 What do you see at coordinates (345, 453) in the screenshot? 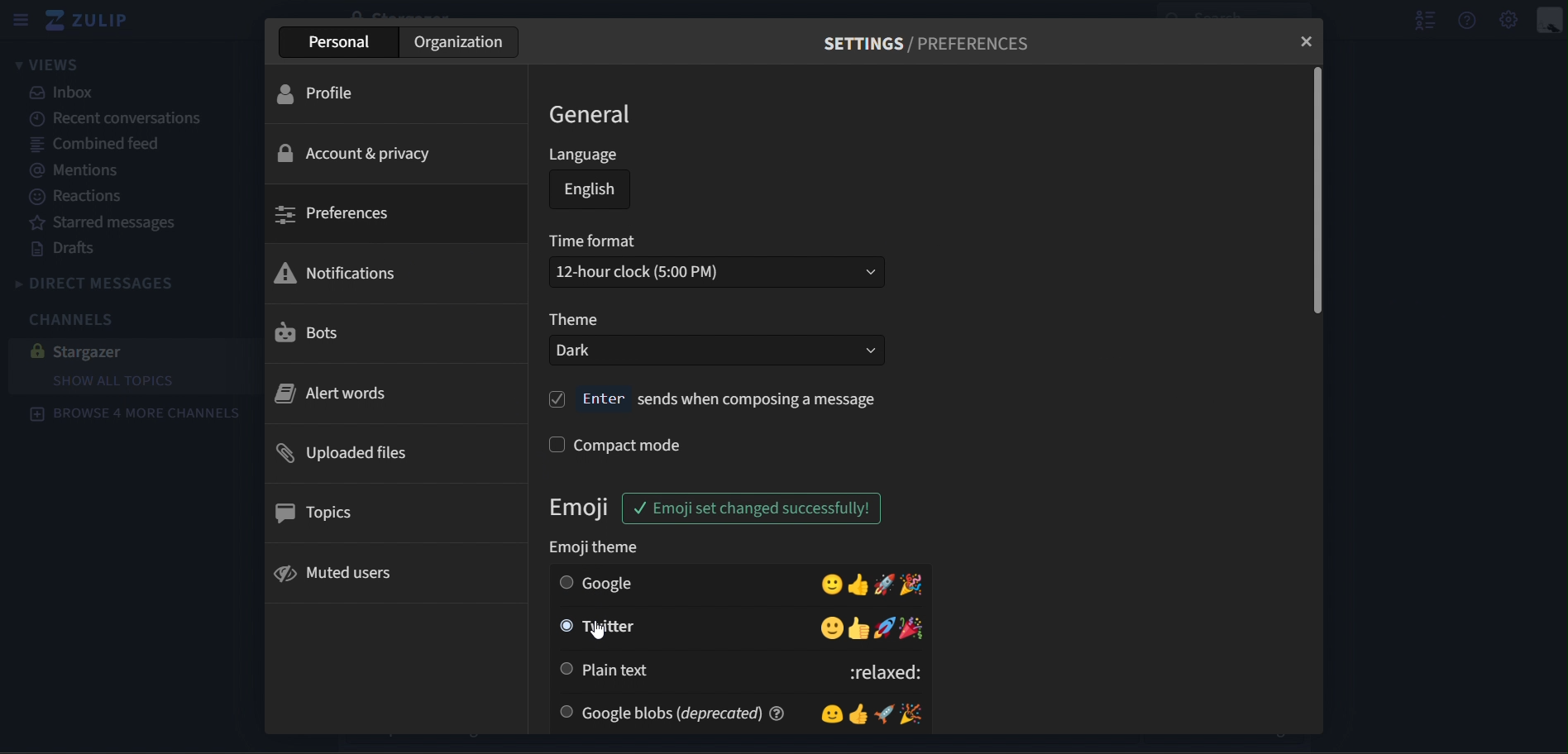
I see `uploaded files` at bounding box center [345, 453].